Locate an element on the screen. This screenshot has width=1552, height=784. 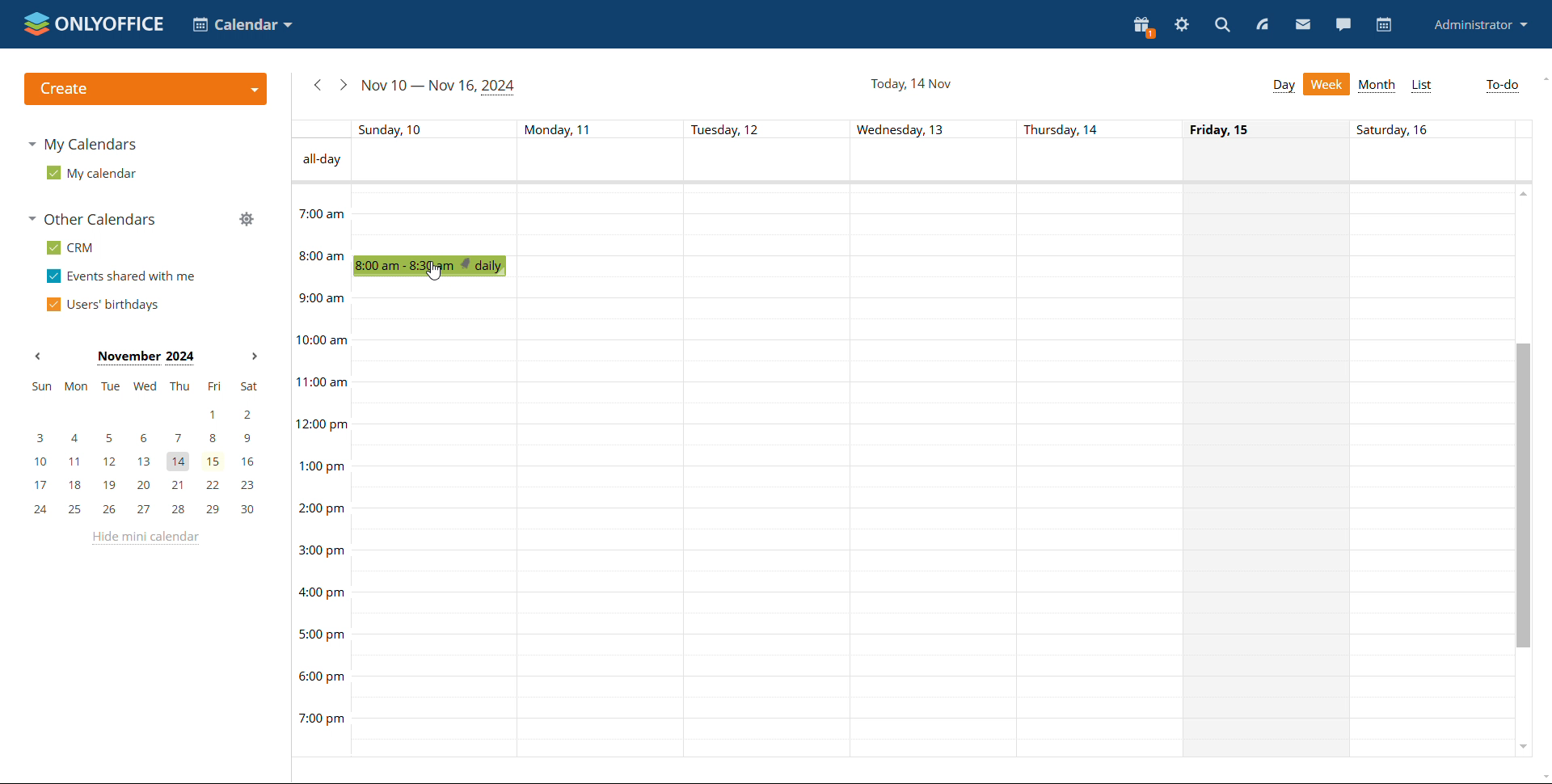
profile is located at coordinates (1482, 24).